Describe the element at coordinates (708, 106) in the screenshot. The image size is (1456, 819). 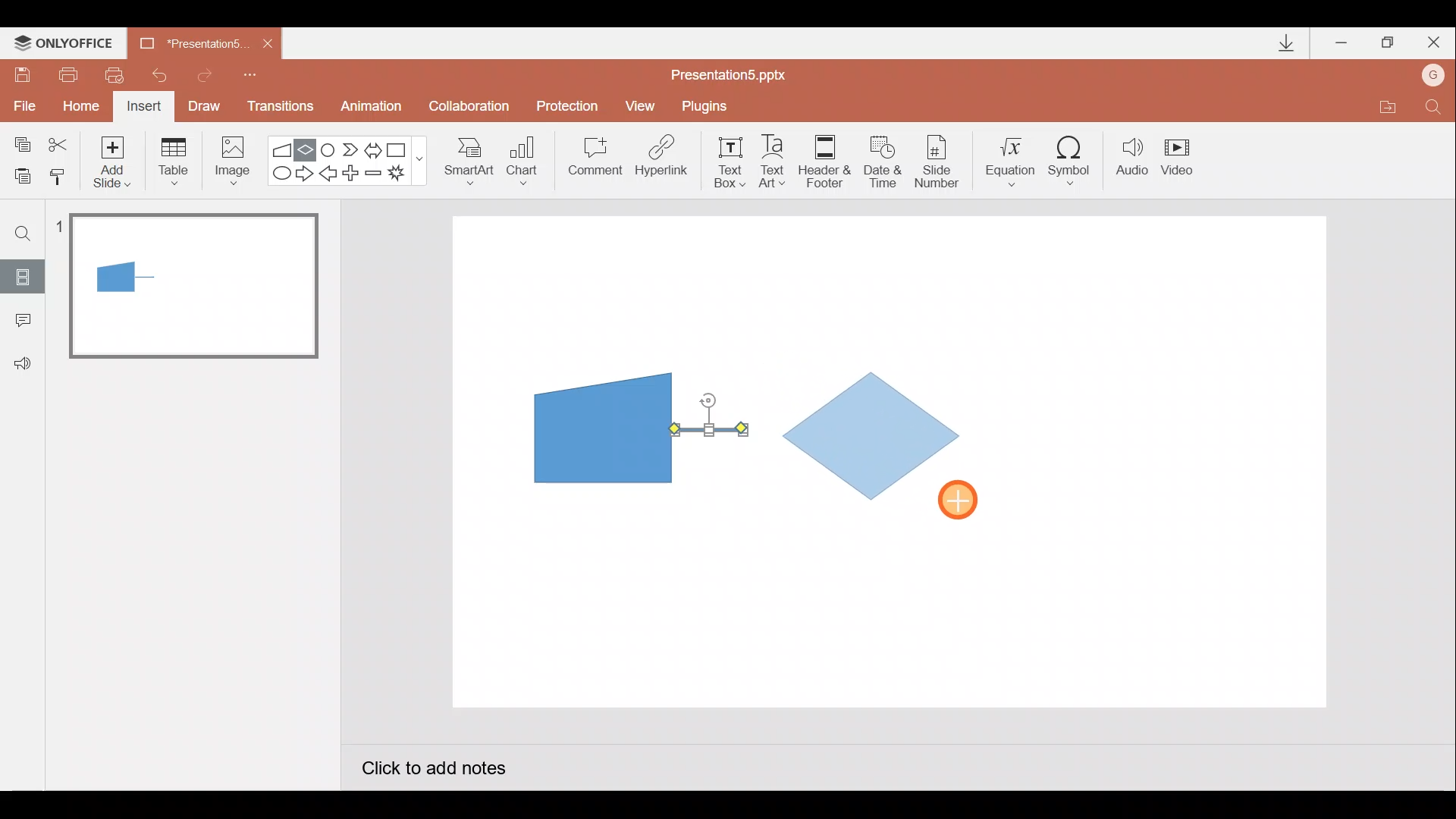
I see `Plugins` at that location.